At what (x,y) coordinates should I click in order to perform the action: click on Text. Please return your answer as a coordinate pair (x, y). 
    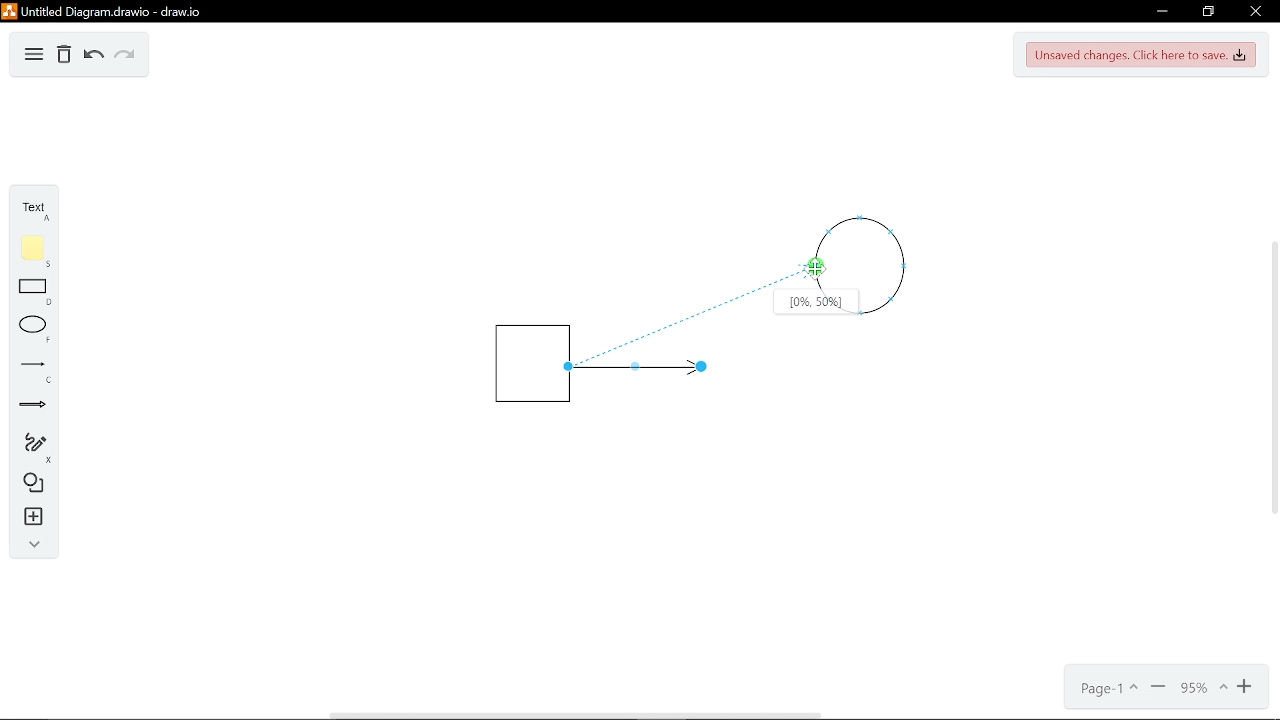
    Looking at the image, I should click on (26, 206).